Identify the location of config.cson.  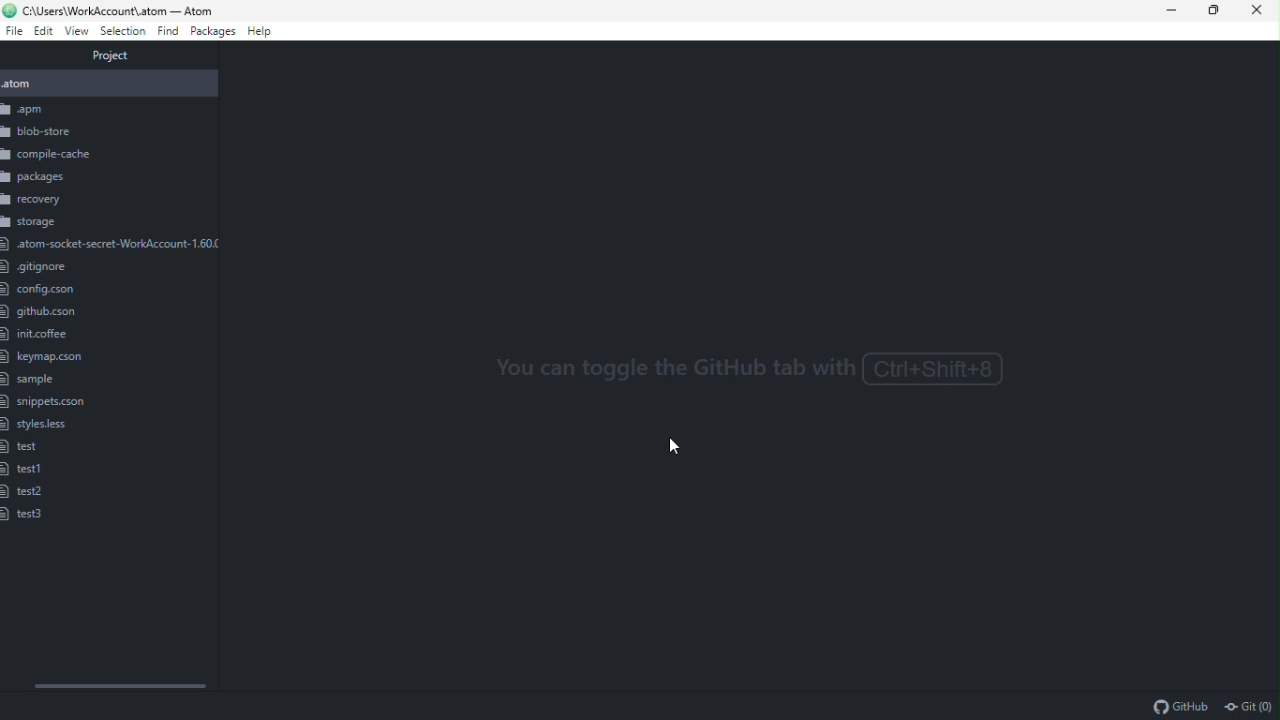
(52, 291).